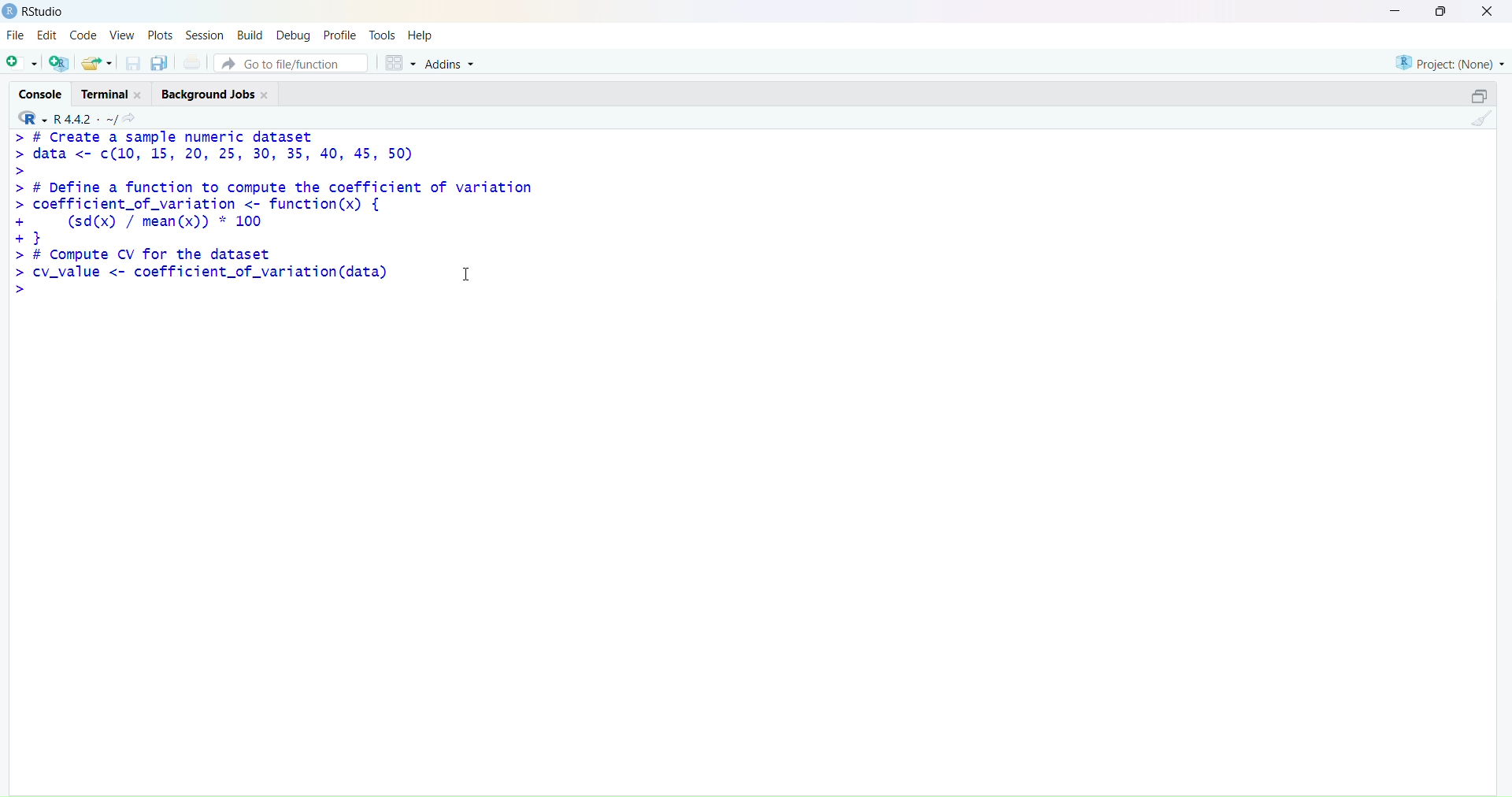 The image size is (1512, 797). What do you see at coordinates (340, 36) in the screenshot?
I see `profile` at bounding box center [340, 36].